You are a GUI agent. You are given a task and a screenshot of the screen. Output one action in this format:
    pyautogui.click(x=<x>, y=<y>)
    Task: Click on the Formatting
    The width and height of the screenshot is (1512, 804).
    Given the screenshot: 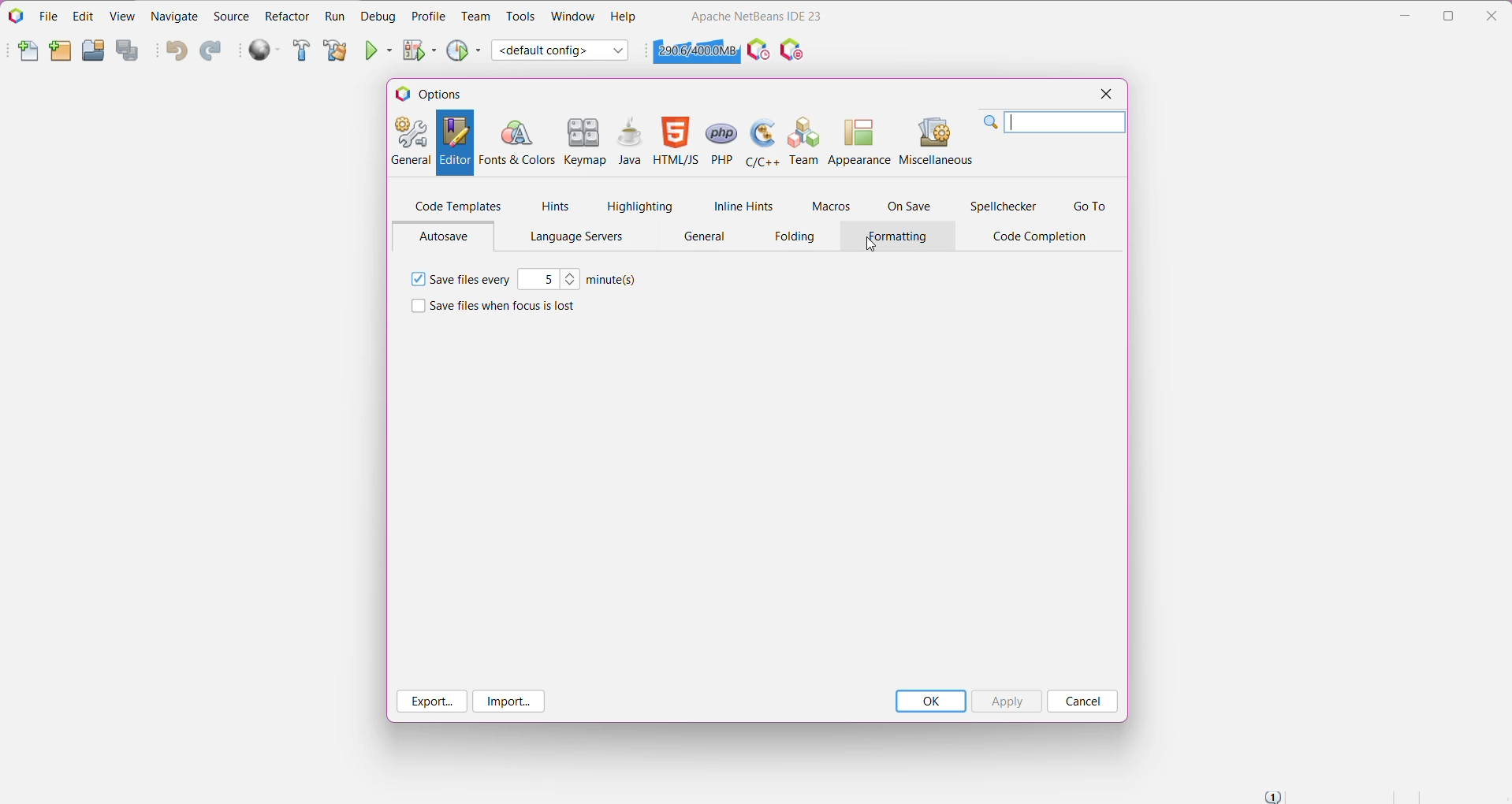 What is the action you would take?
    pyautogui.click(x=899, y=237)
    